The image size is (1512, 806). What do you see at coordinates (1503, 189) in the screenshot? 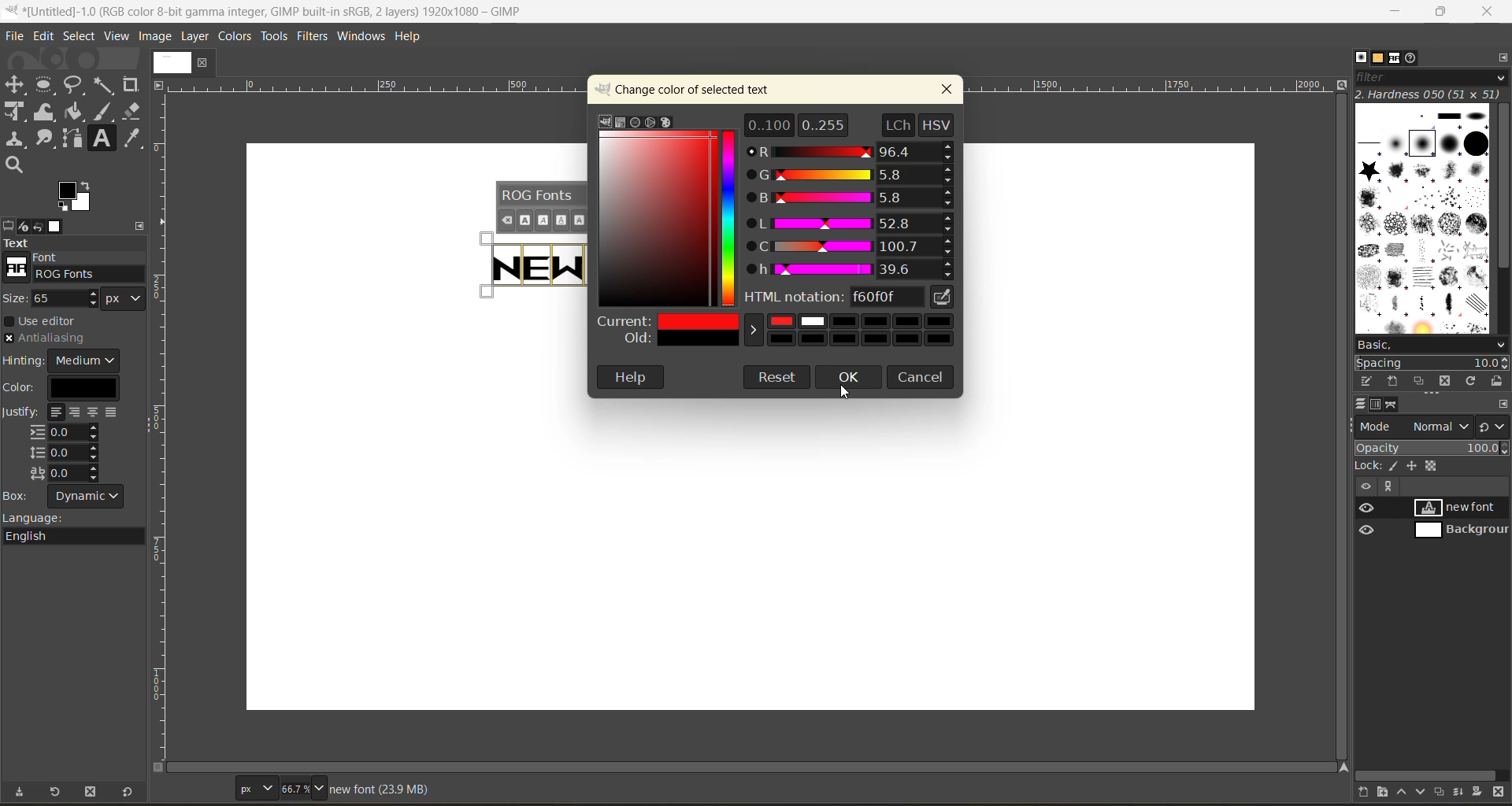
I see `vertical scroll bar` at bounding box center [1503, 189].